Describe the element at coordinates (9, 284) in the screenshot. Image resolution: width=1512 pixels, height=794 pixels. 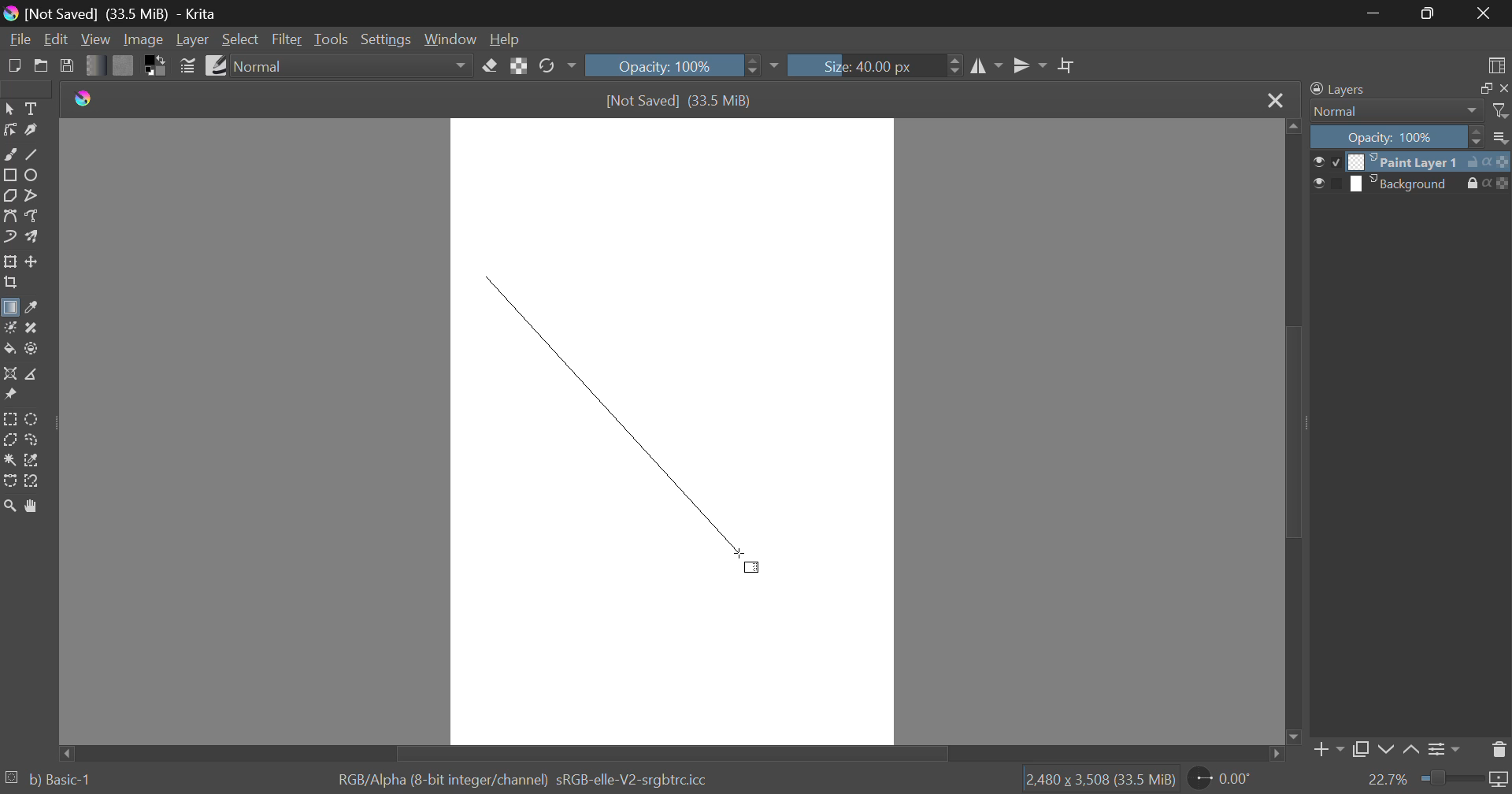
I see `Crop Layer` at that location.